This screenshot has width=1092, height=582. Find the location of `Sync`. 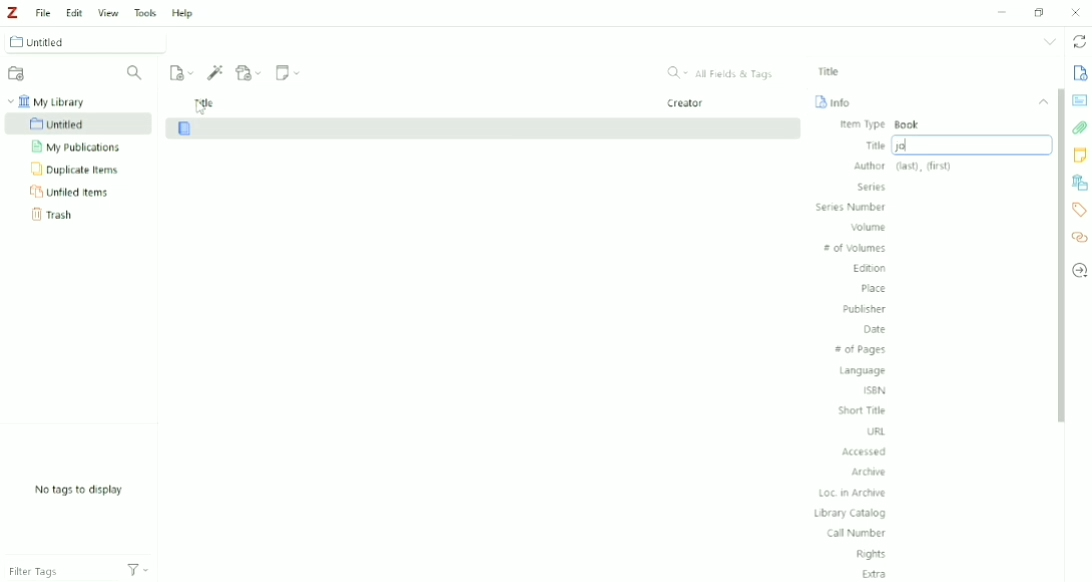

Sync is located at coordinates (1078, 41).